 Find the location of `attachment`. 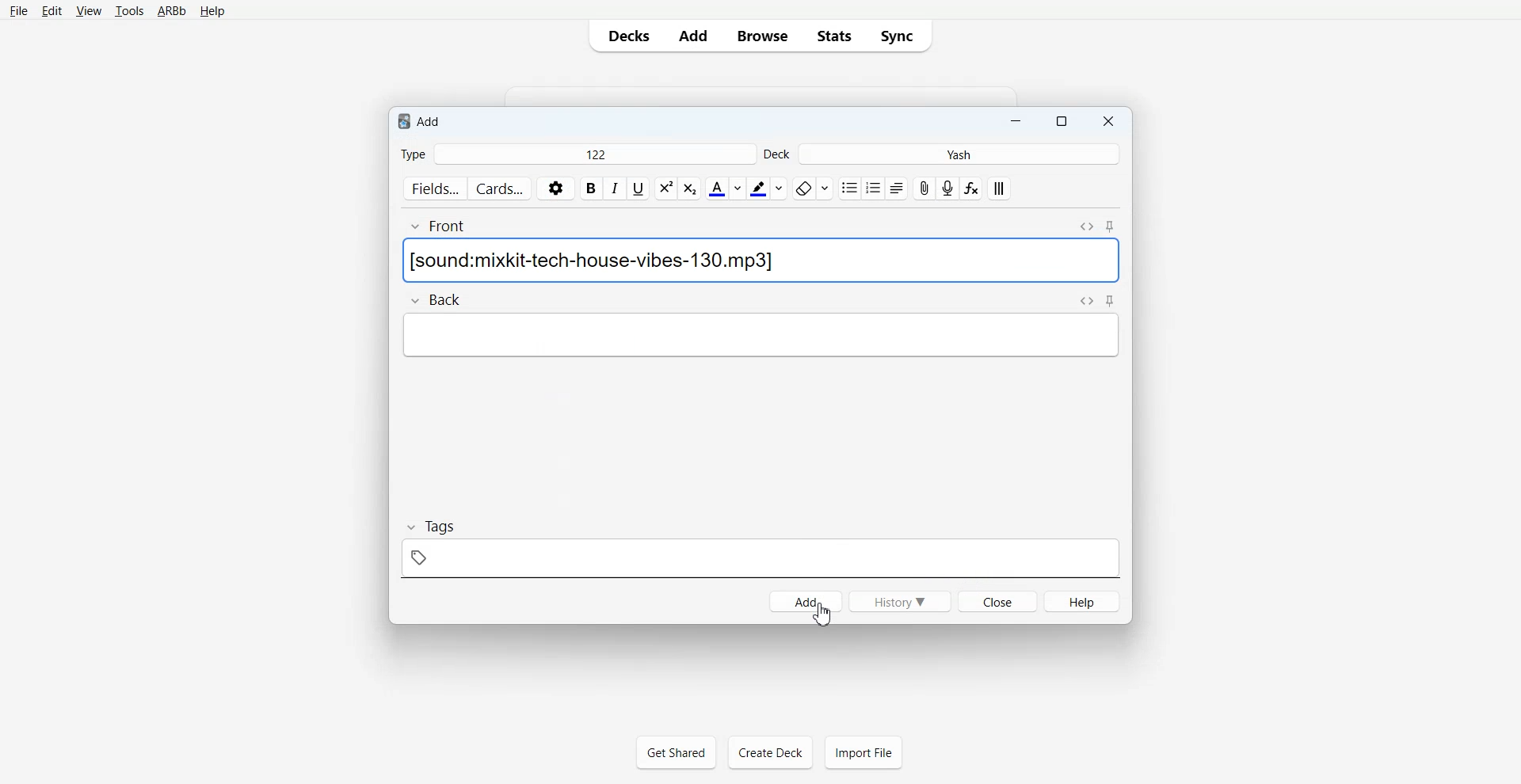

attachment is located at coordinates (923, 188).